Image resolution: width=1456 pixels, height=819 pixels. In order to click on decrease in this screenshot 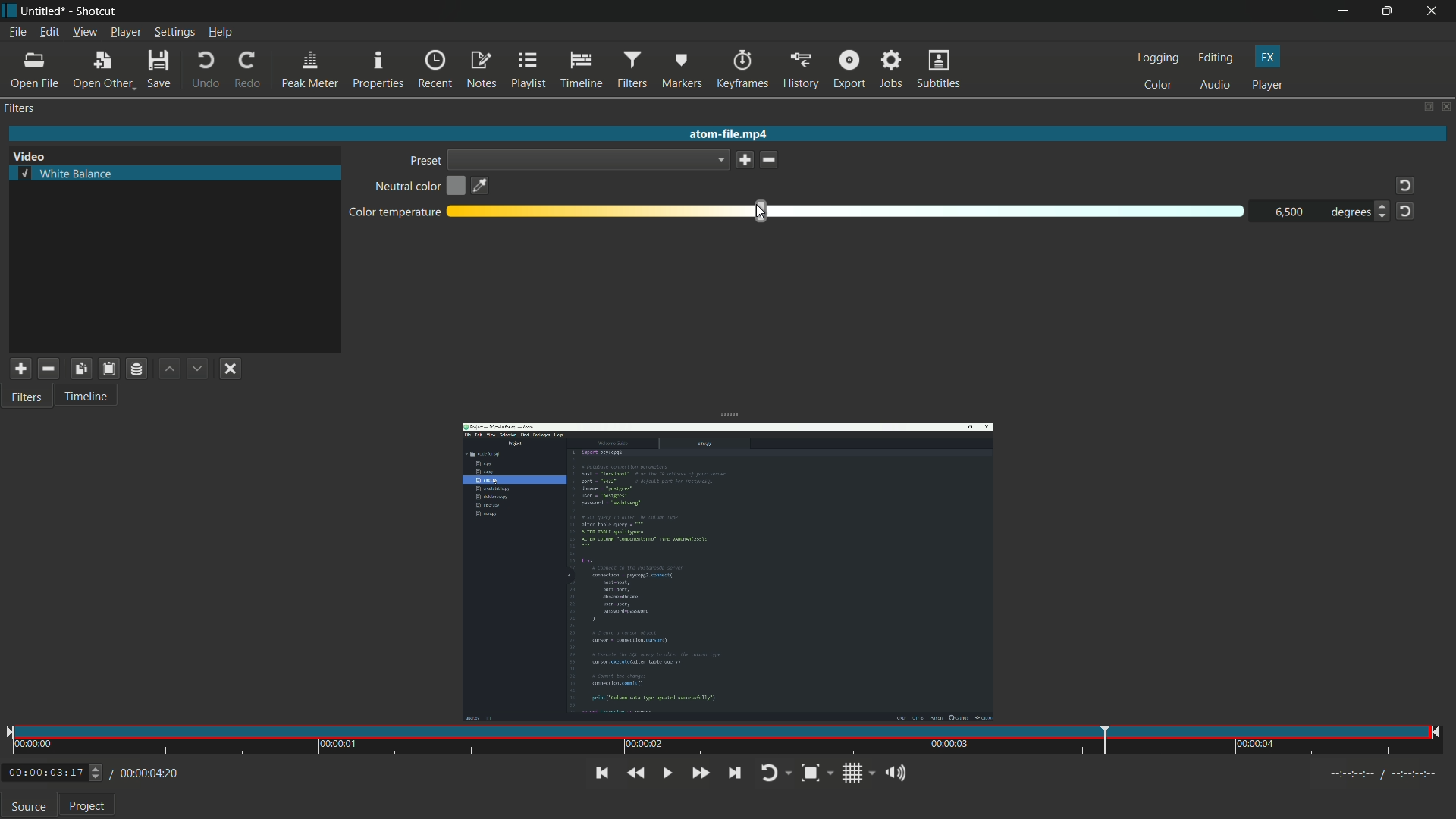, I will do `click(1384, 220)`.